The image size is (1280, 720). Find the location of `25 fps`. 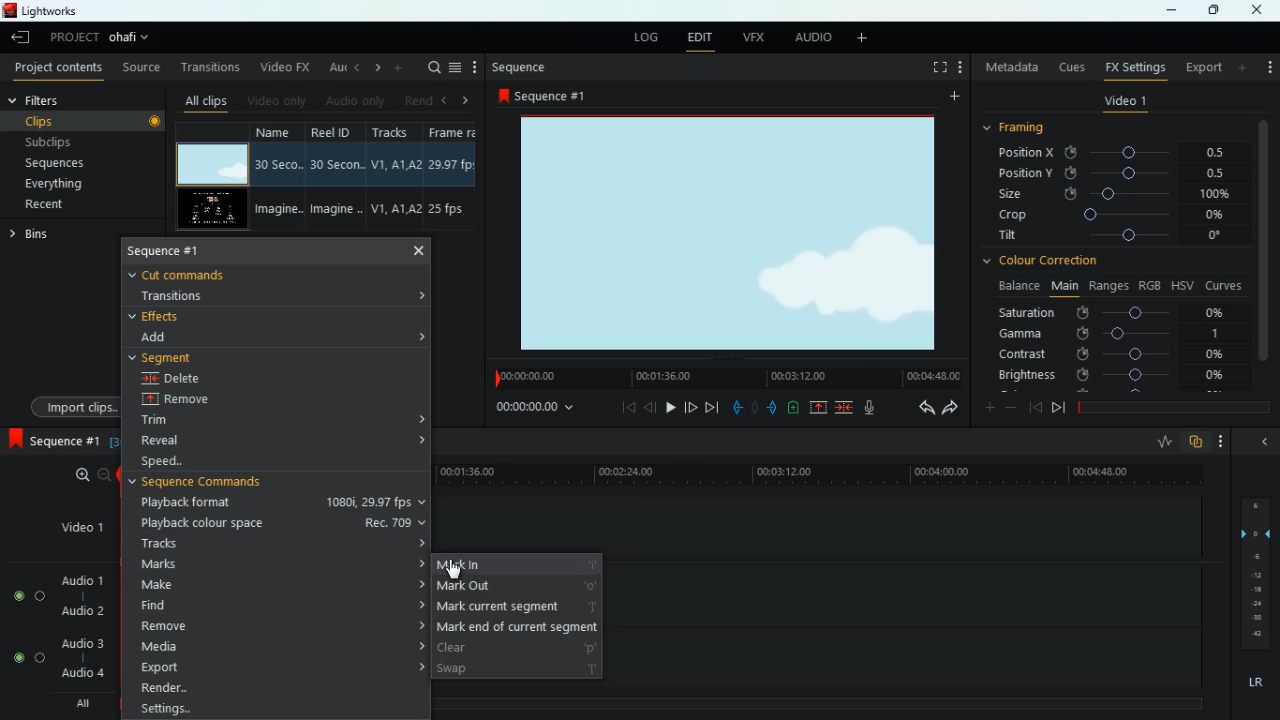

25 fps is located at coordinates (452, 208).